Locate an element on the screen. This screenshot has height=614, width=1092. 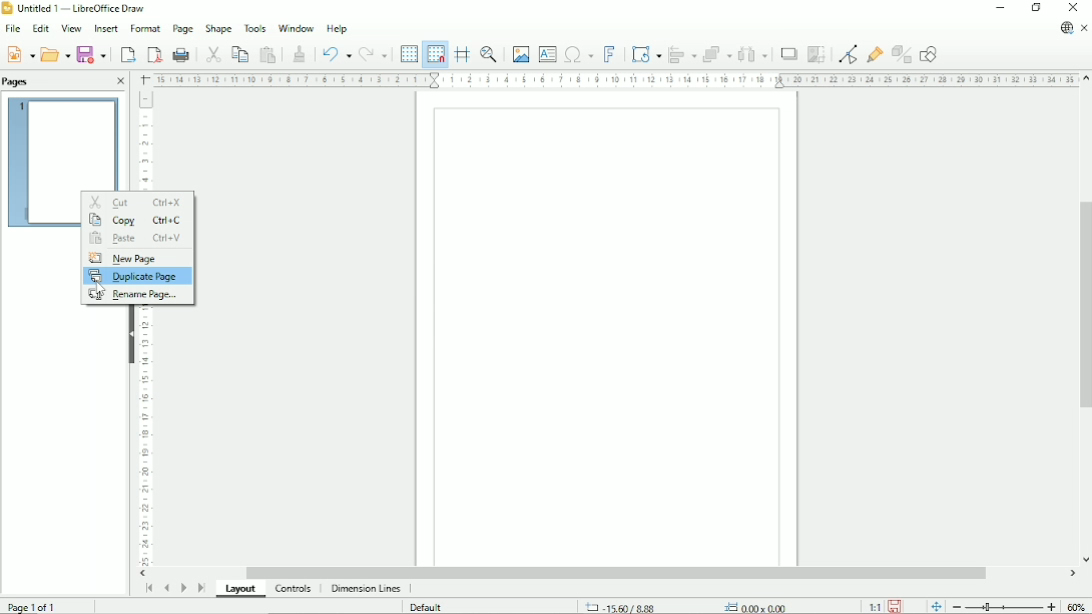
Horizontal scrollbar is located at coordinates (615, 573).